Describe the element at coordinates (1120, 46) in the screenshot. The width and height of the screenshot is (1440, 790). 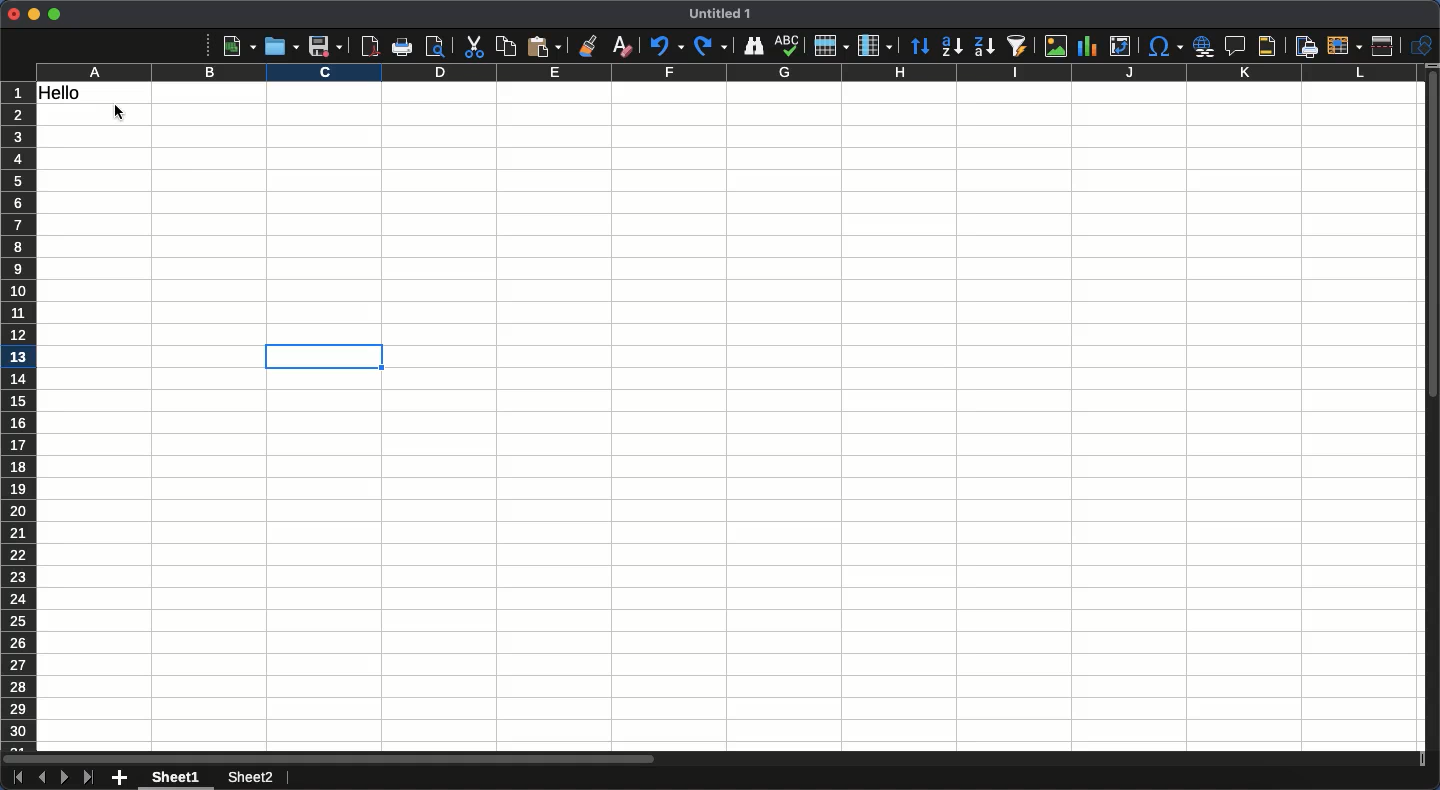
I see `Pivot table` at that location.